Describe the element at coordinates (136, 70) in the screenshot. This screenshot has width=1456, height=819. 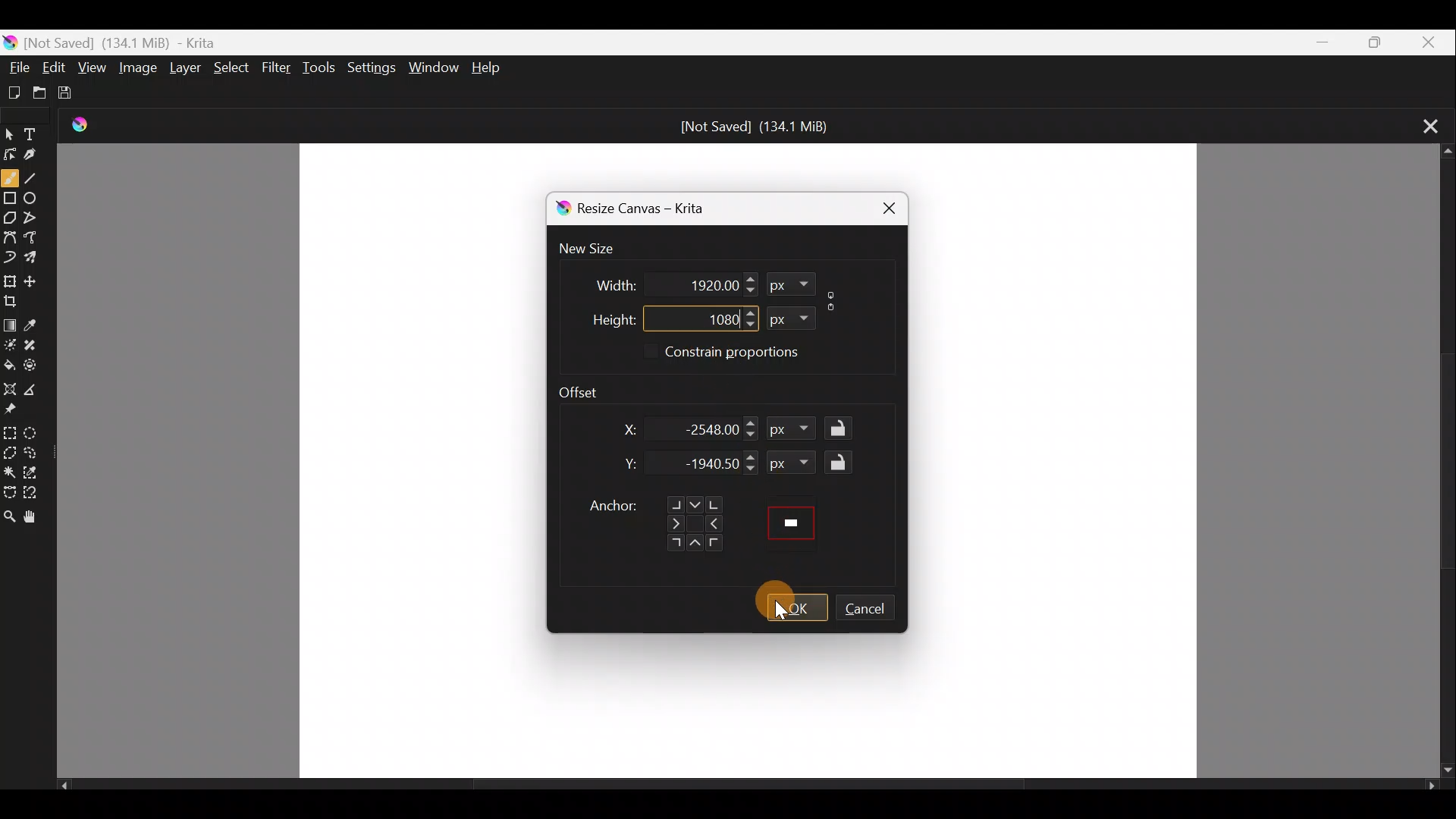
I see `Image` at that location.